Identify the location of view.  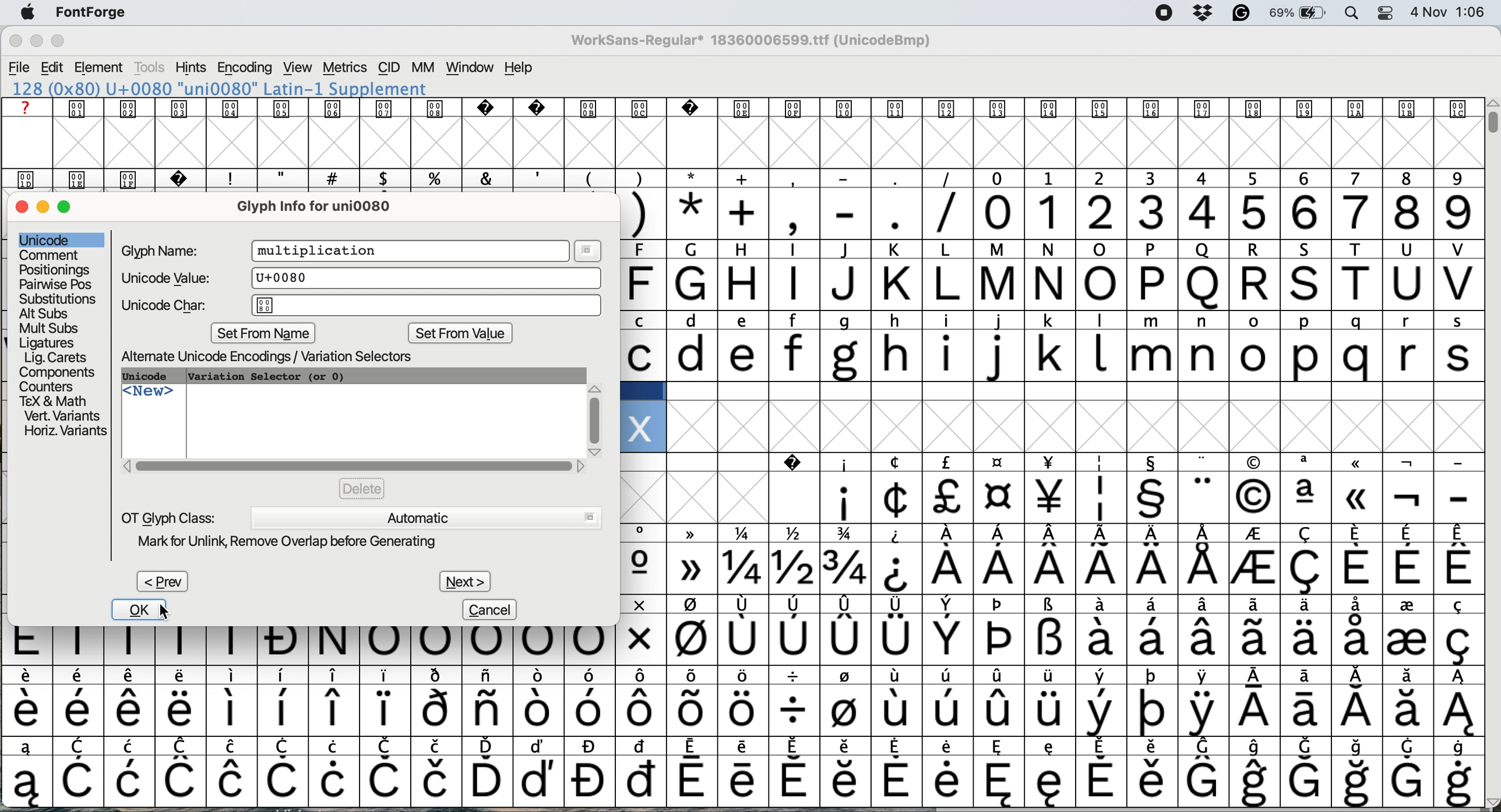
(295, 68).